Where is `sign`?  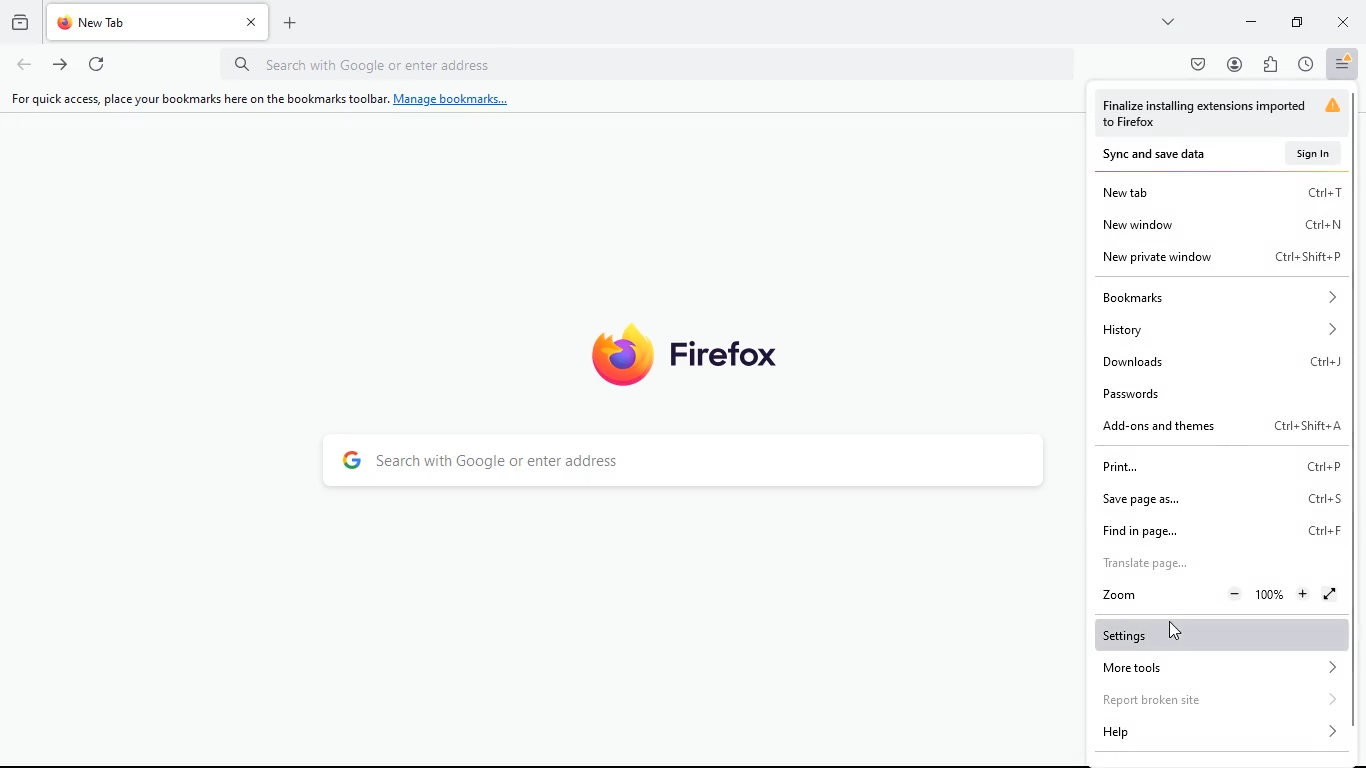
sign is located at coordinates (1313, 152).